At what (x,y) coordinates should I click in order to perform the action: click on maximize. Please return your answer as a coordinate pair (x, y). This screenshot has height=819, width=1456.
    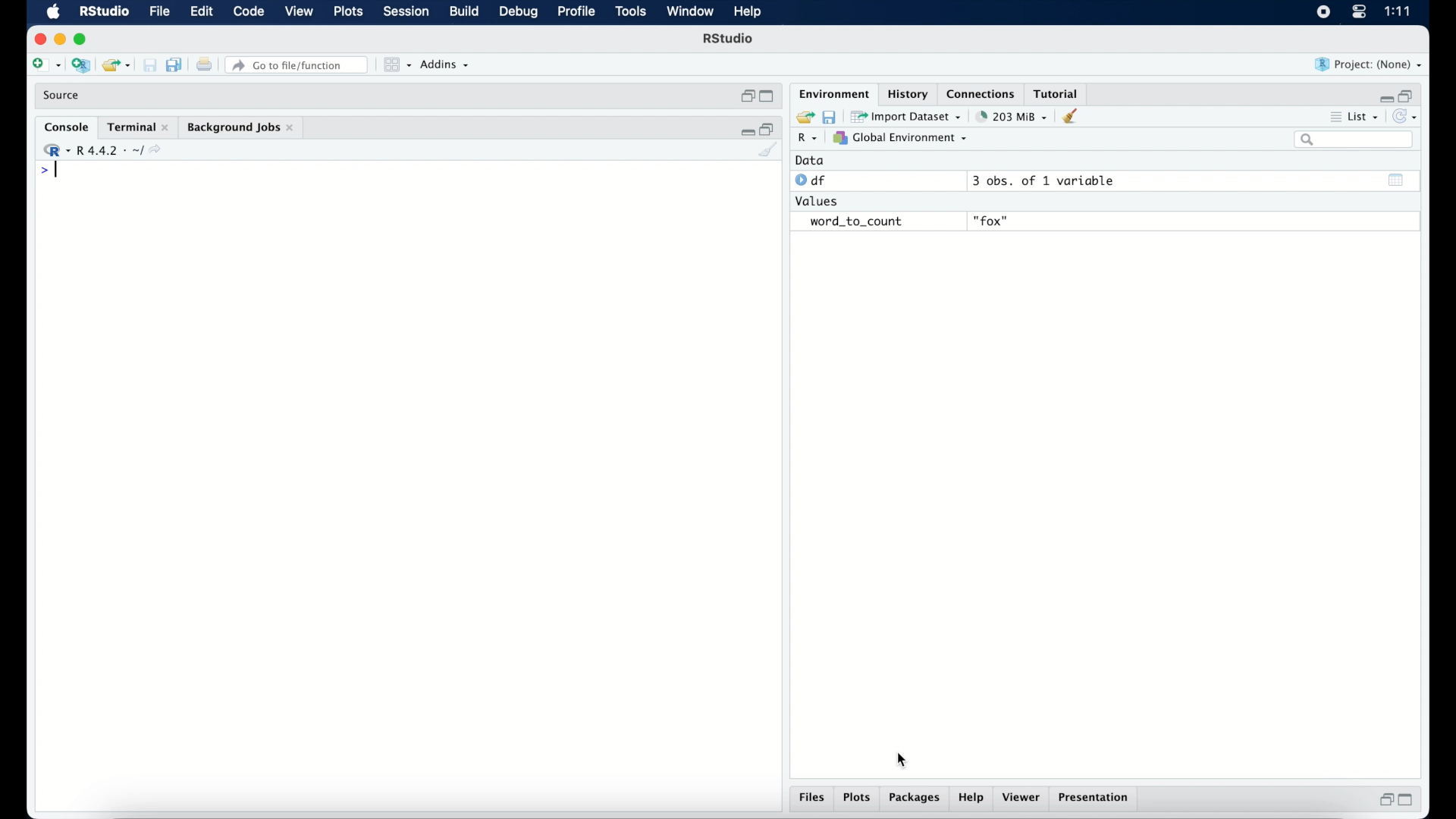
    Looking at the image, I should click on (1409, 800).